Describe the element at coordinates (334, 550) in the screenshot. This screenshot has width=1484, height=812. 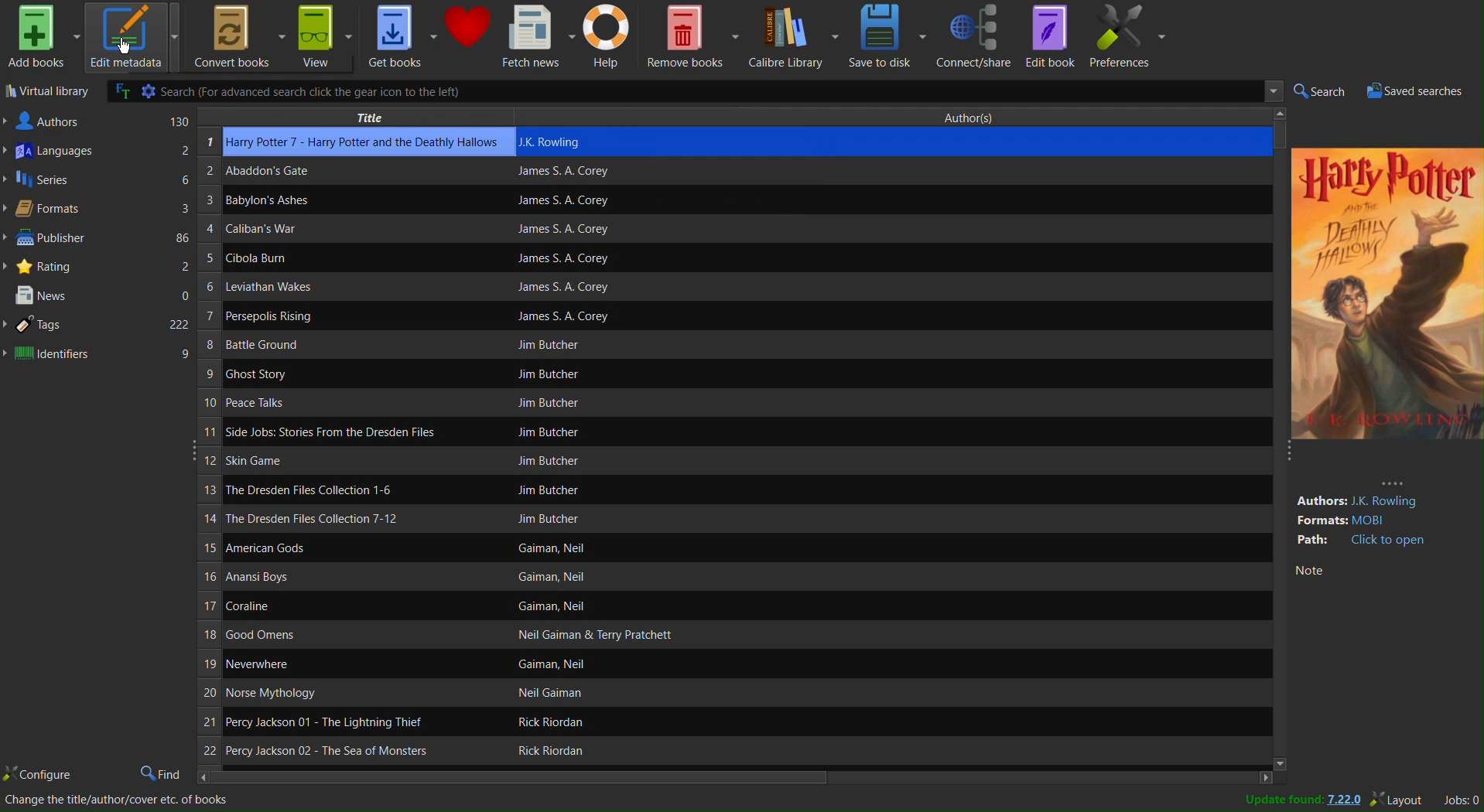
I see `Book name` at that location.